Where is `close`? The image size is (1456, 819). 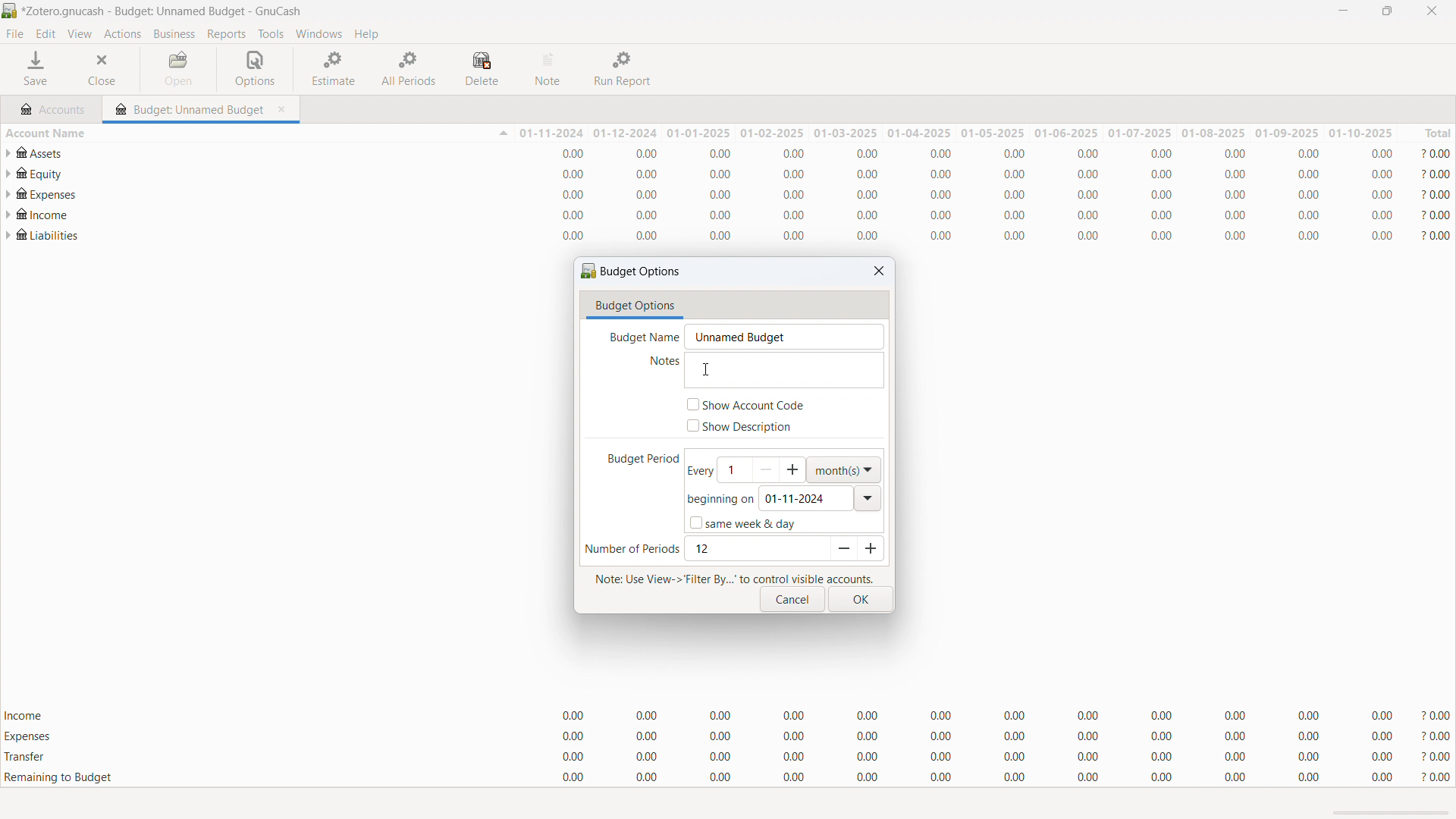 close is located at coordinates (105, 69).